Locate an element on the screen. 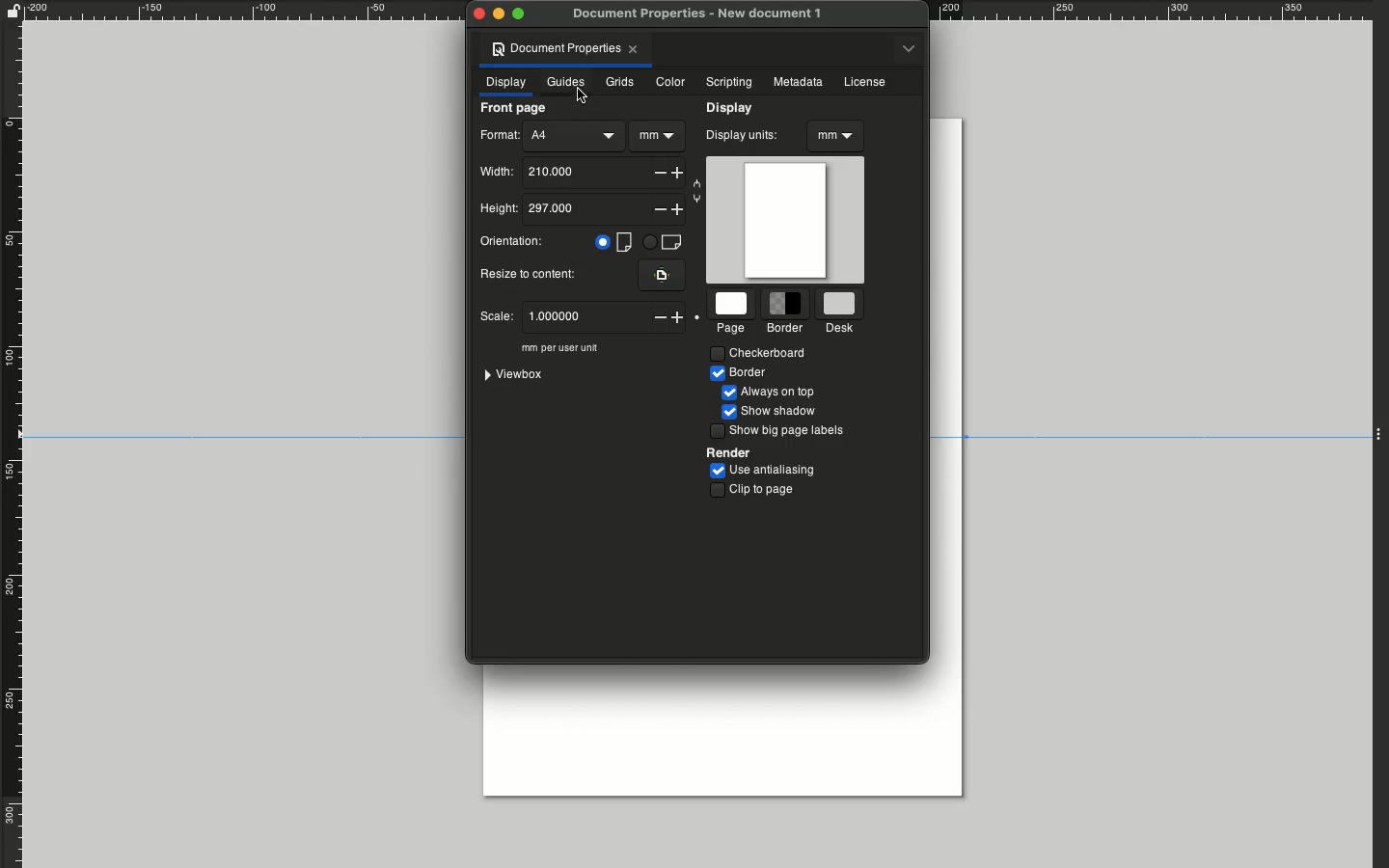 The width and height of the screenshot is (1389, 868). Grids is located at coordinates (619, 82).